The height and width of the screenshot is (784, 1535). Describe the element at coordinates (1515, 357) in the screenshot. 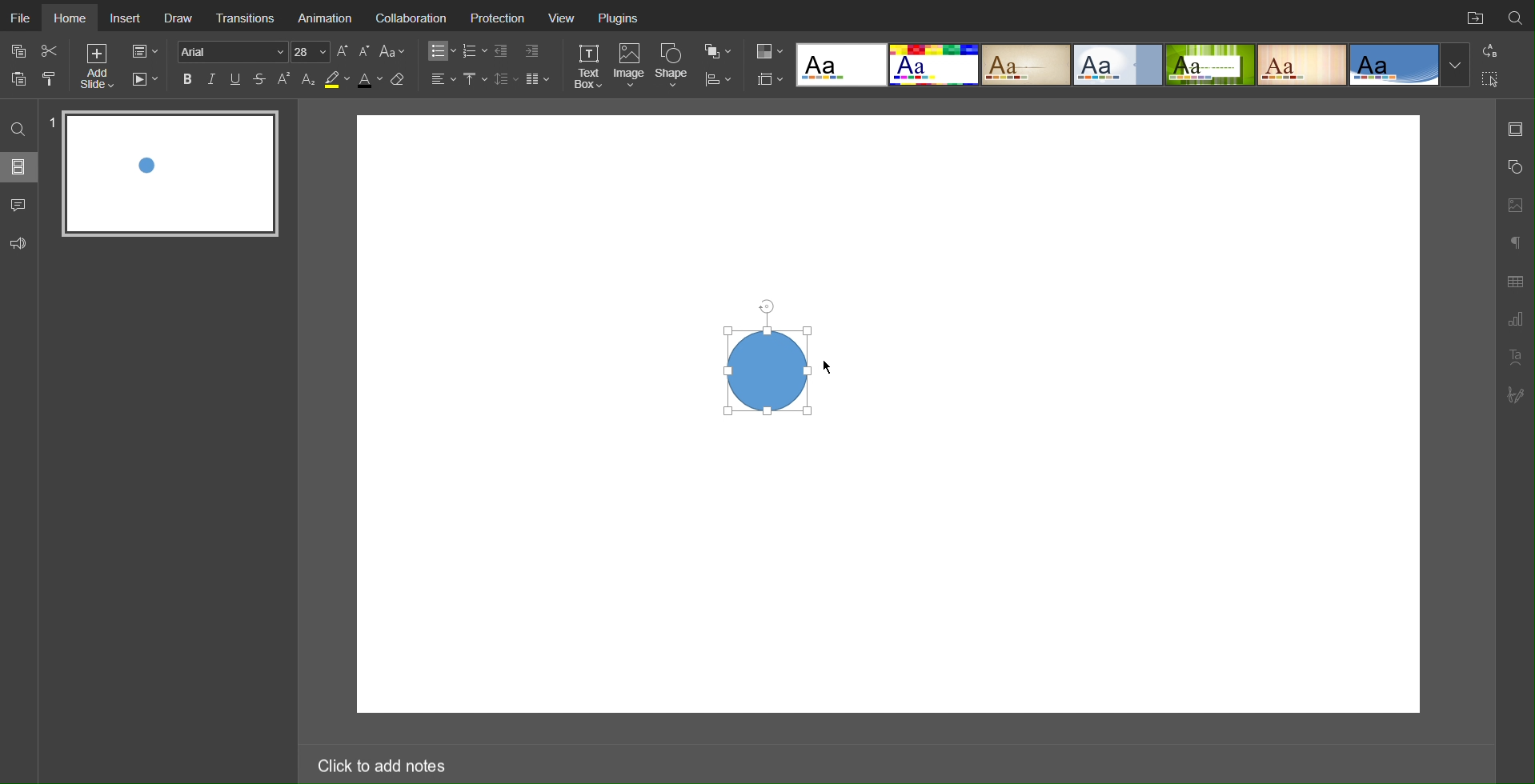

I see `Text Art` at that location.